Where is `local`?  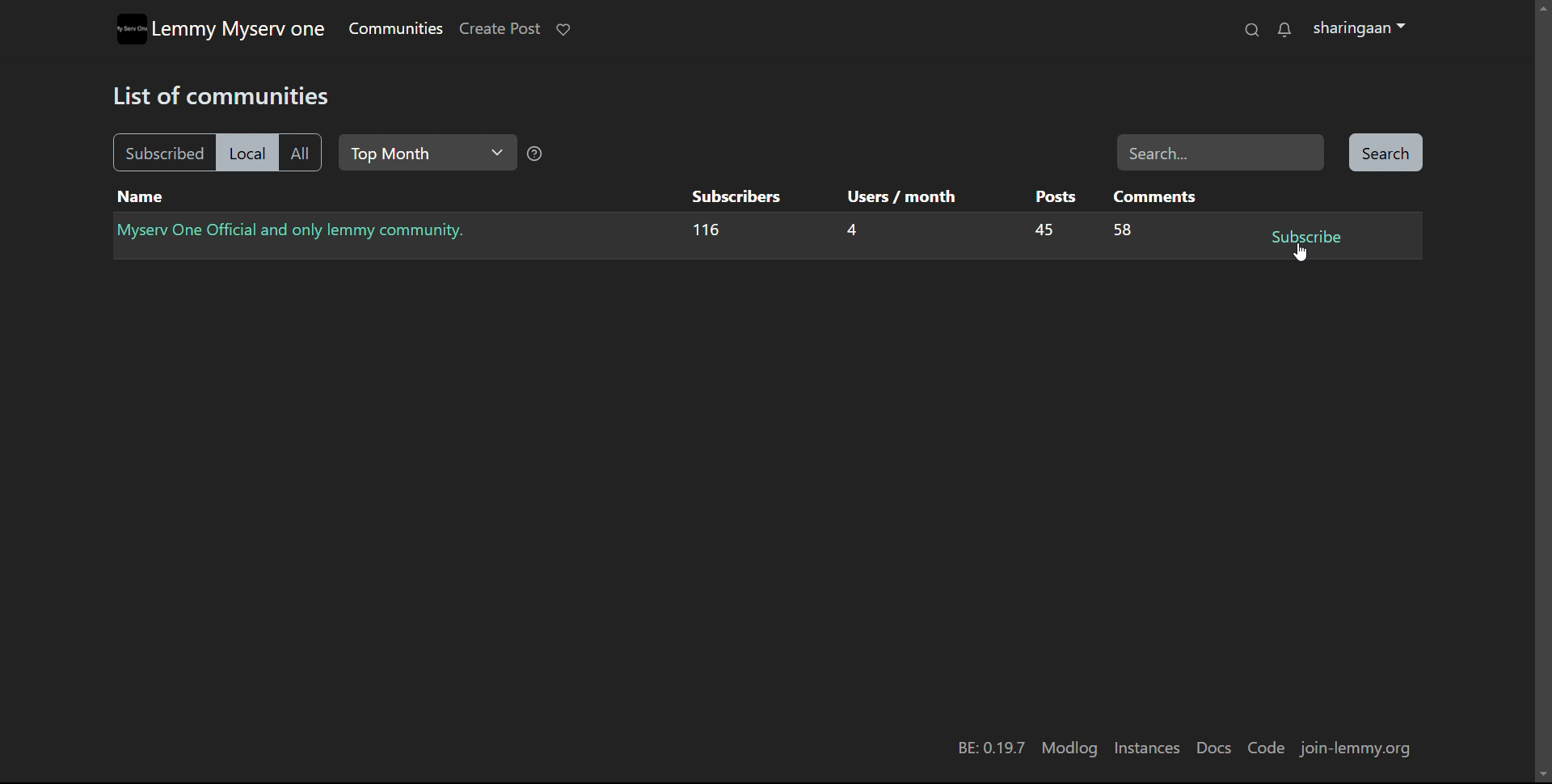 local is located at coordinates (245, 153).